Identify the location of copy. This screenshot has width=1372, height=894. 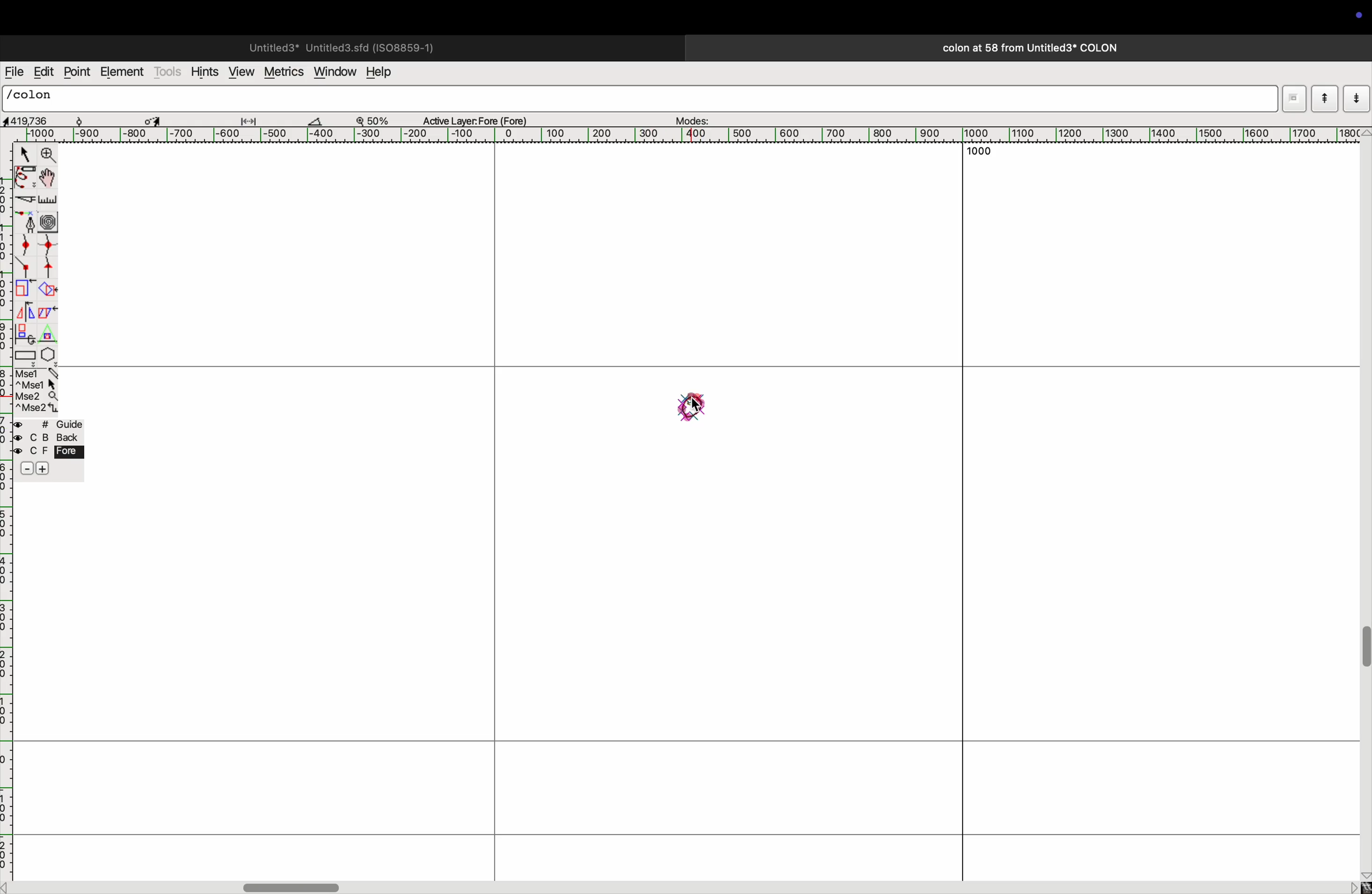
(50, 314).